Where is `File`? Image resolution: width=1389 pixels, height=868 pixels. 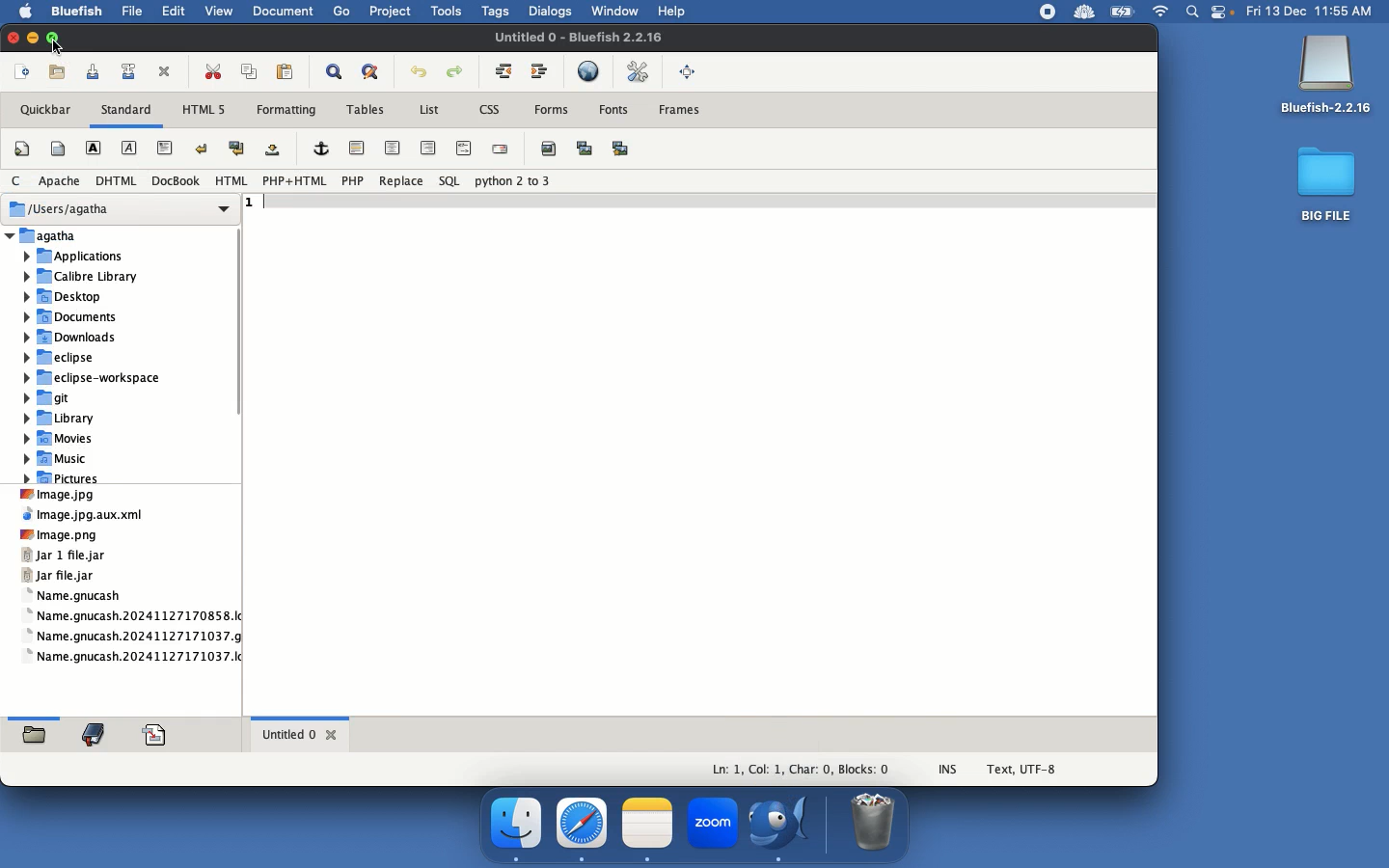 File is located at coordinates (129, 12).